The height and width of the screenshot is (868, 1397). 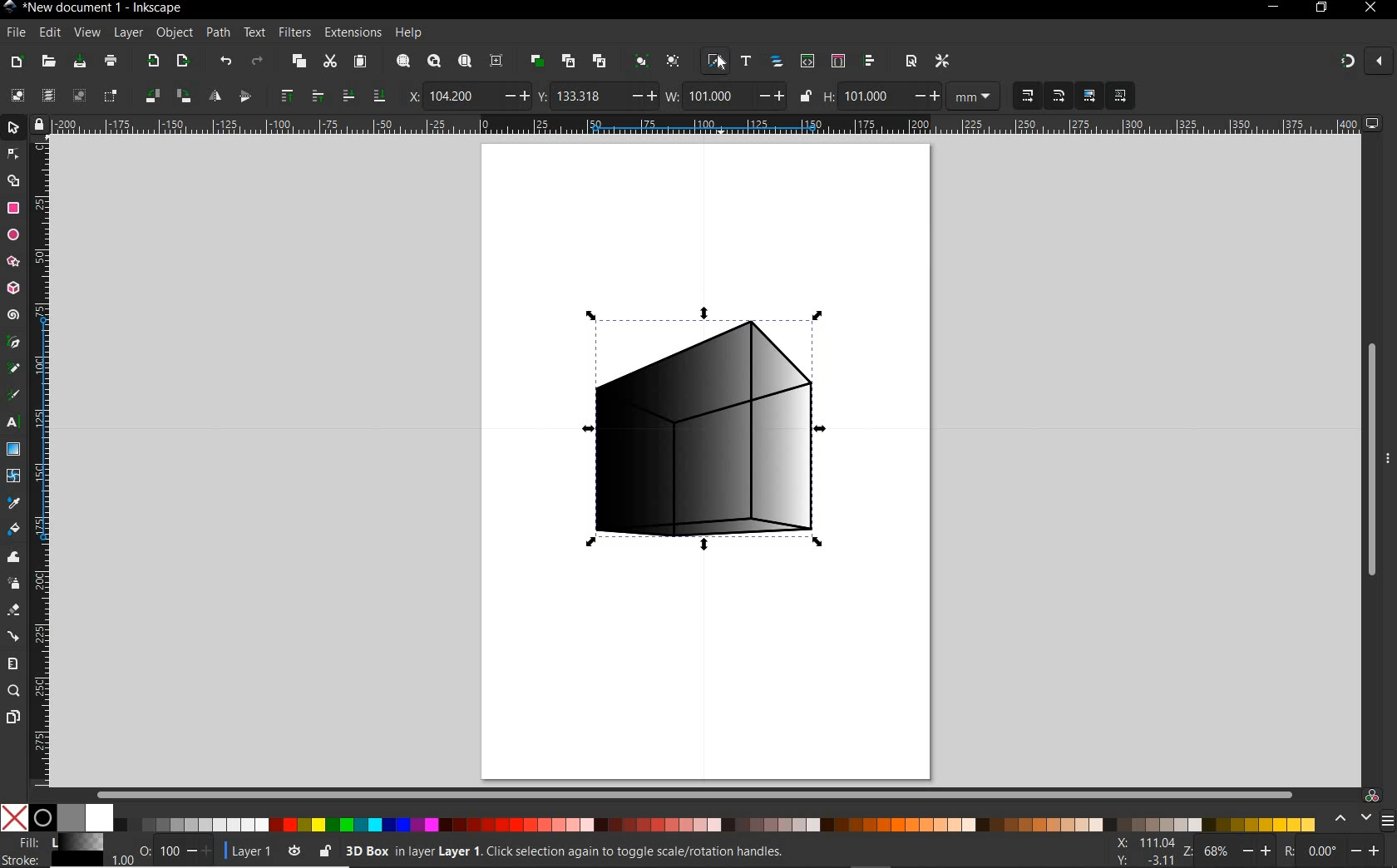 I want to click on FILE, so click(x=16, y=33).